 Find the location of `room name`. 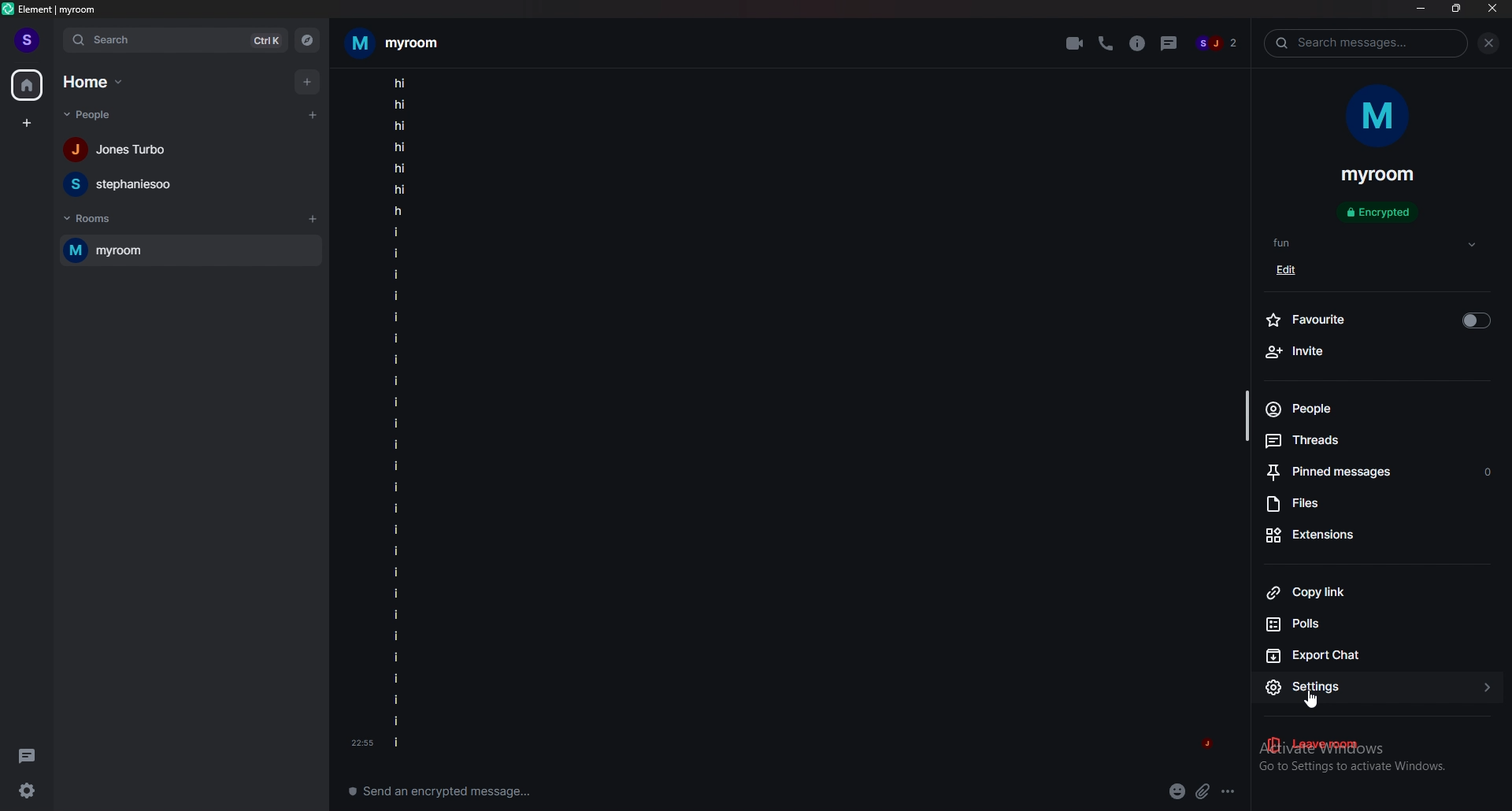

room name is located at coordinates (394, 43).